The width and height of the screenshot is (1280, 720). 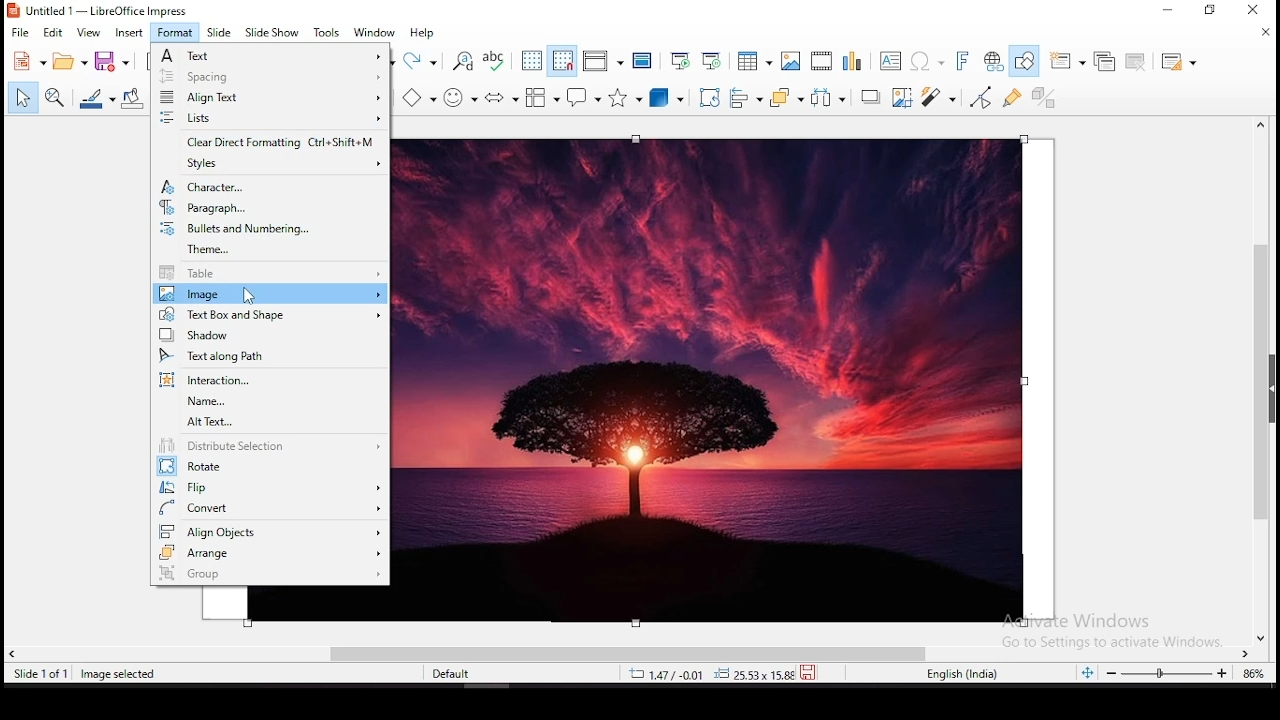 I want to click on english (india), so click(x=962, y=674).